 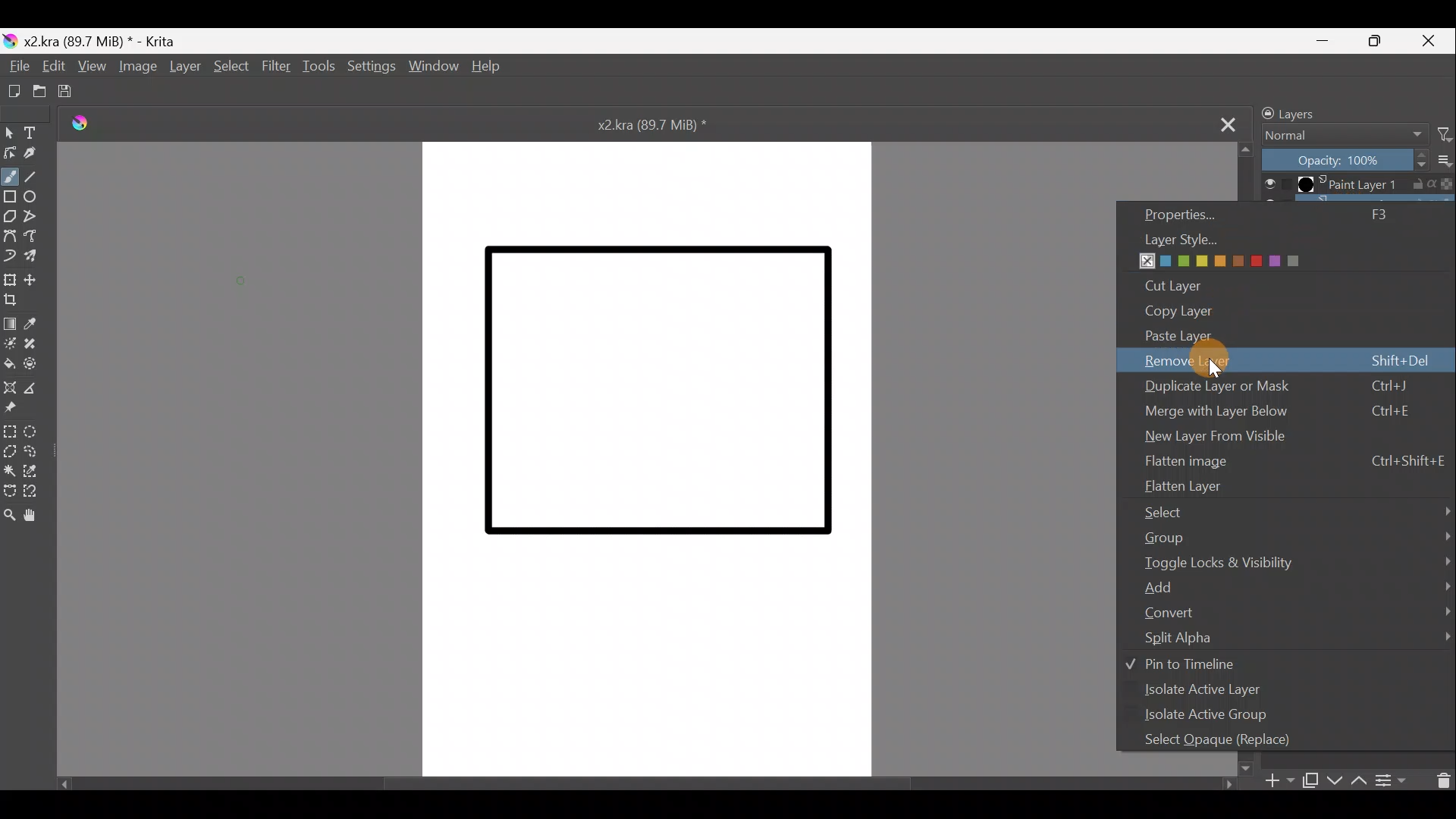 What do you see at coordinates (1291, 484) in the screenshot?
I see `Flatten layer` at bounding box center [1291, 484].